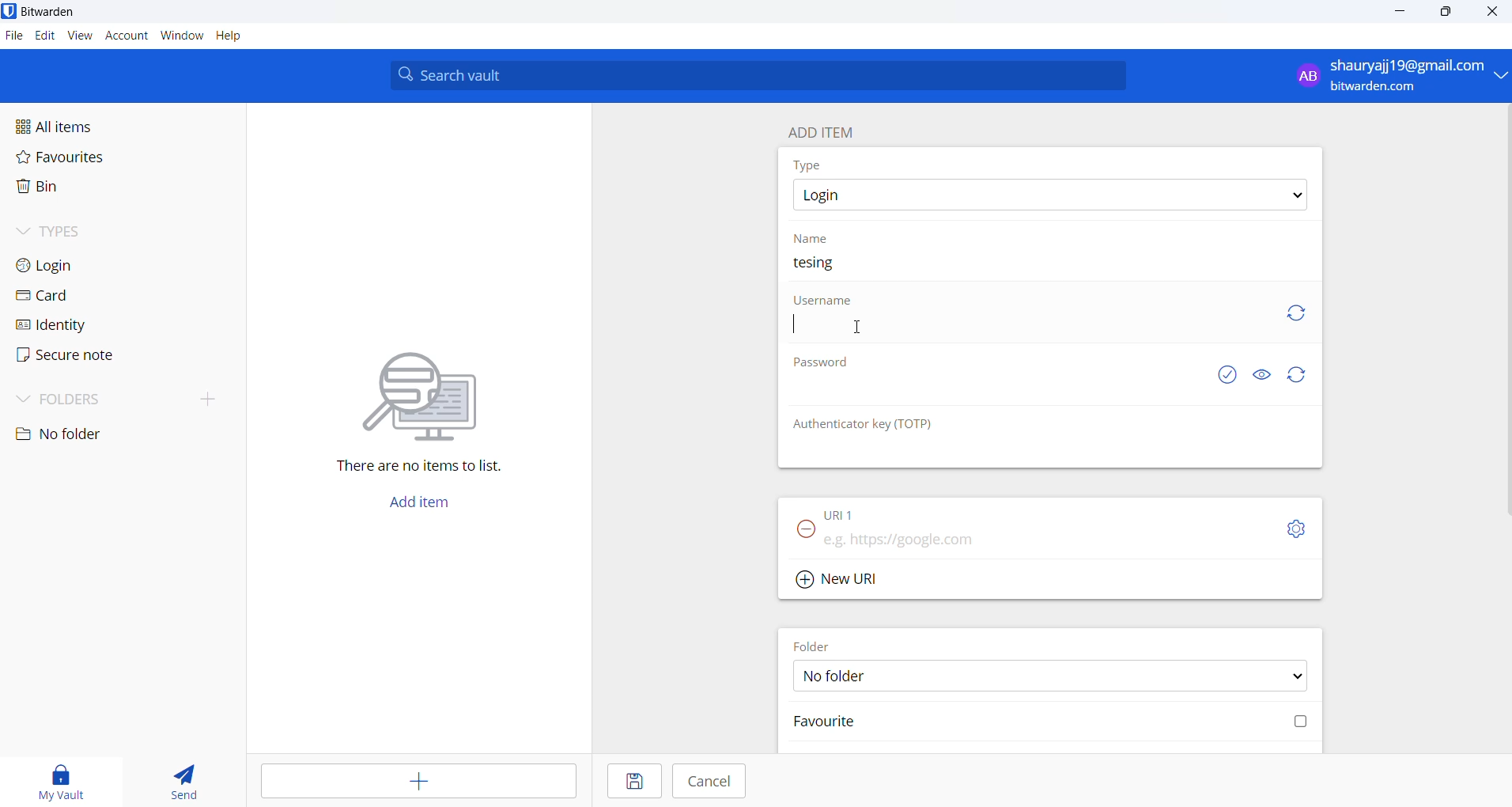 This screenshot has height=807, width=1512. I want to click on entered entry name, so click(824, 263).